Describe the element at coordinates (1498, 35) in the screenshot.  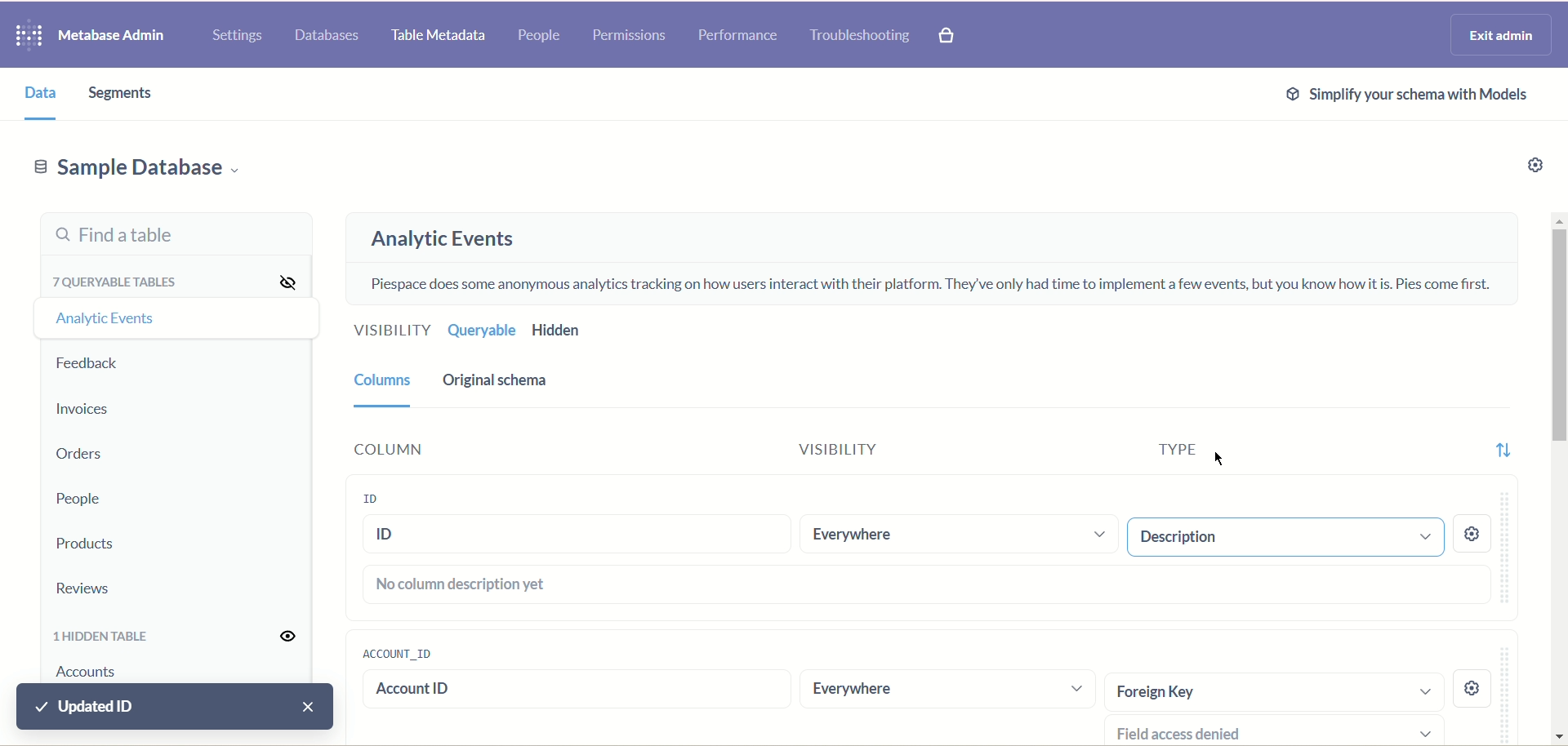
I see `exit admin` at that location.